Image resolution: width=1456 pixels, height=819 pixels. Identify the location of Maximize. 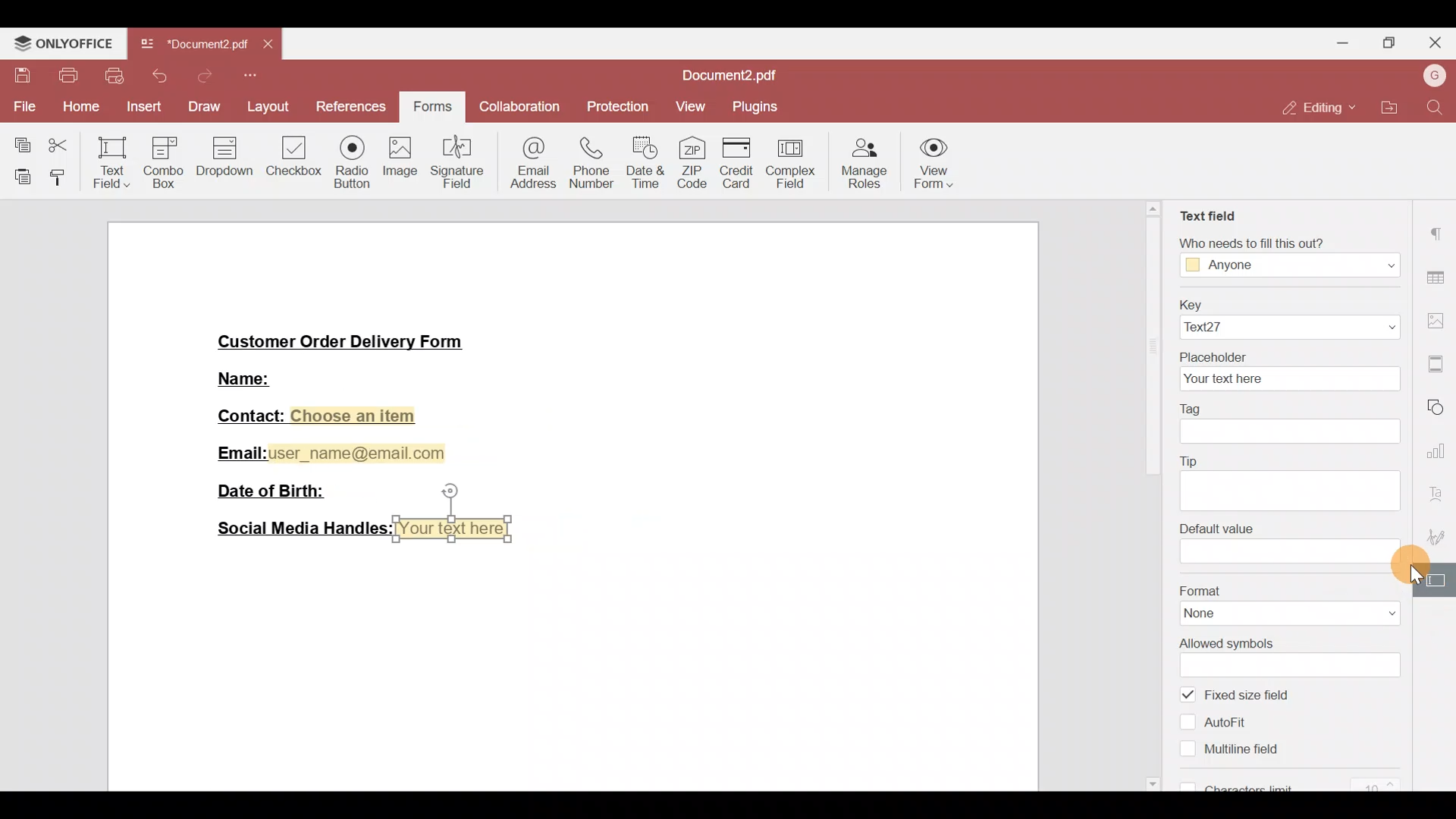
(1395, 42).